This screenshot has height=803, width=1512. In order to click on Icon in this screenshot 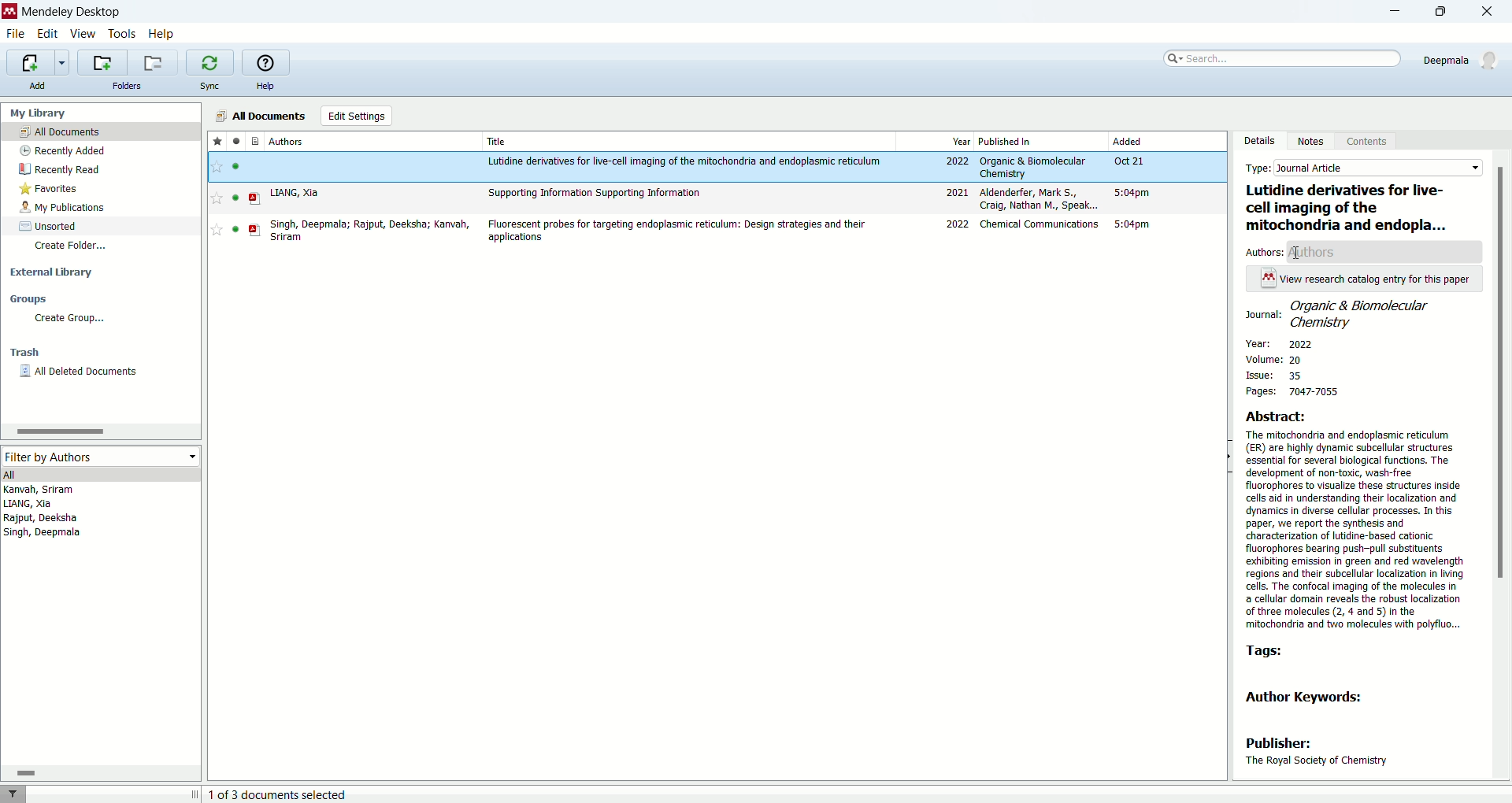, I will do `click(1268, 277)`.